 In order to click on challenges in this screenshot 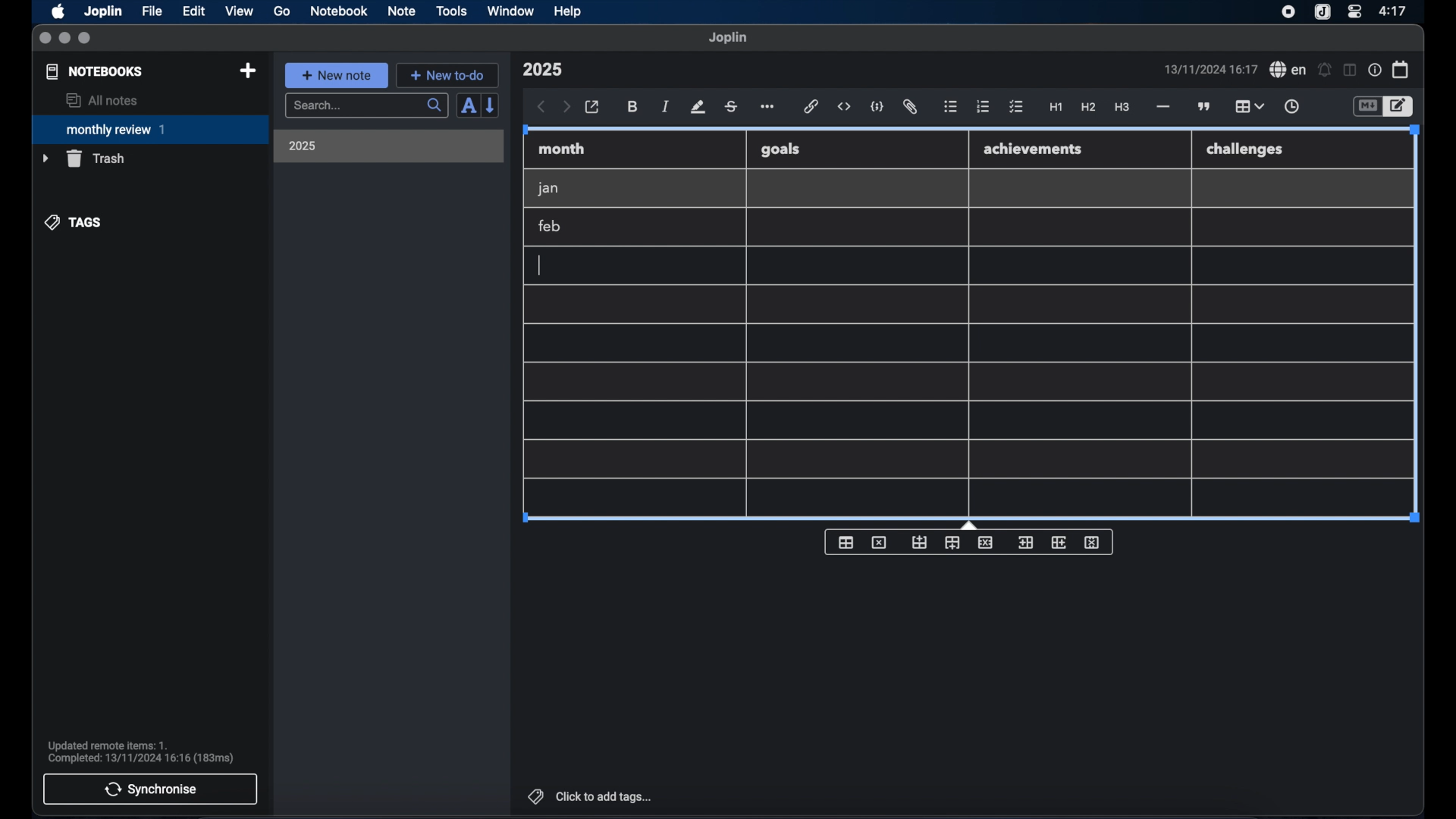, I will do `click(1246, 150)`.